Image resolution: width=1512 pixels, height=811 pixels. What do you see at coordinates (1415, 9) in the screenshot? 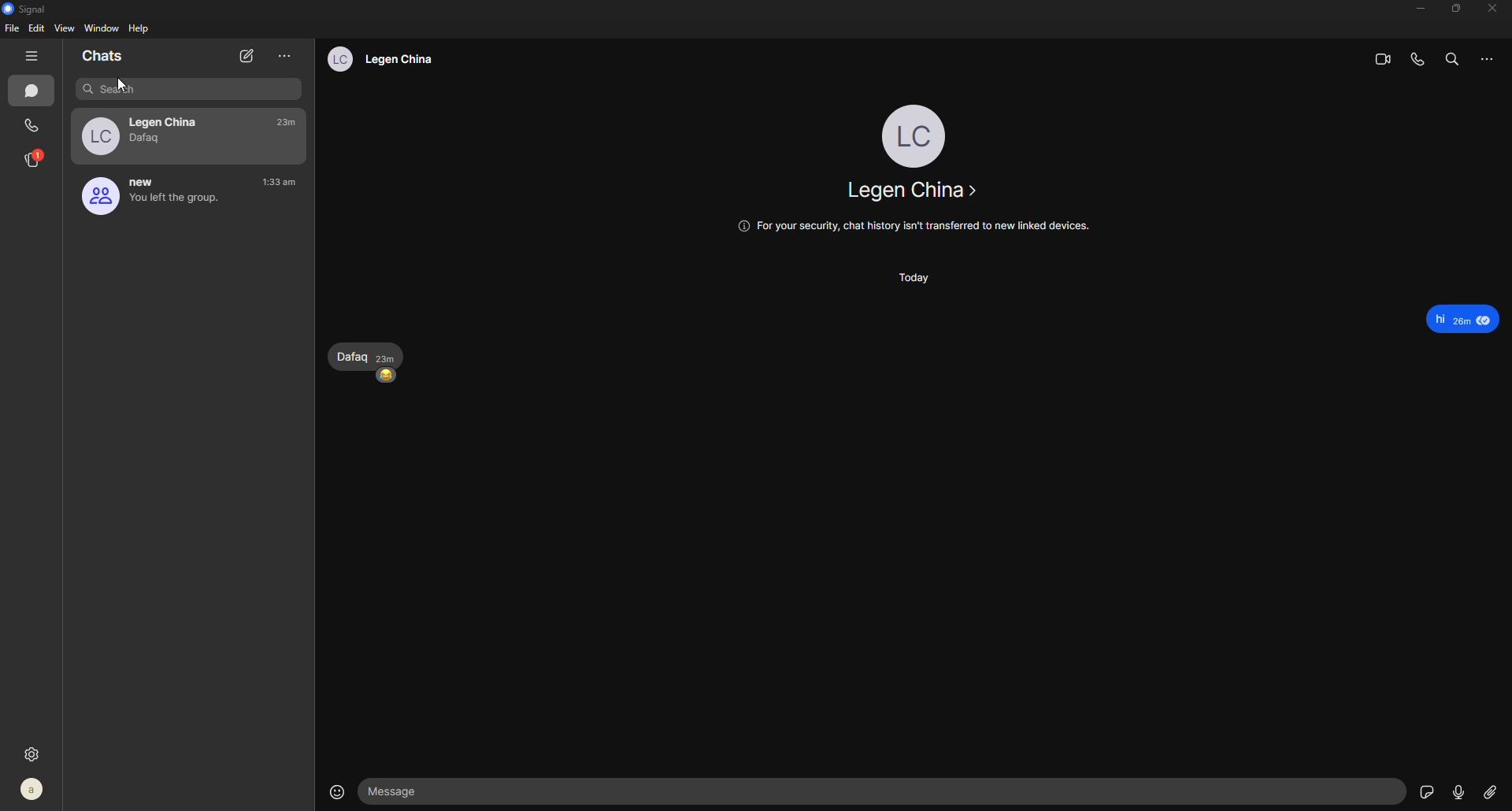
I see `minimize` at bounding box center [1415, 9].